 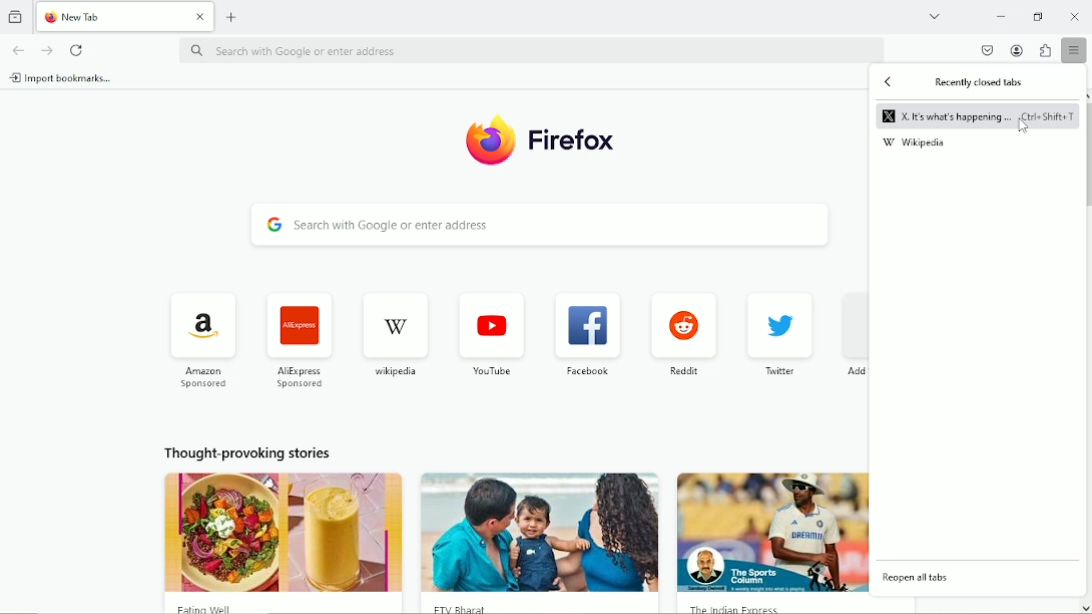 What do you see at coordinates (201, 380) in the screenshot?
I see `Amazon` at bounding box center [201, 380].